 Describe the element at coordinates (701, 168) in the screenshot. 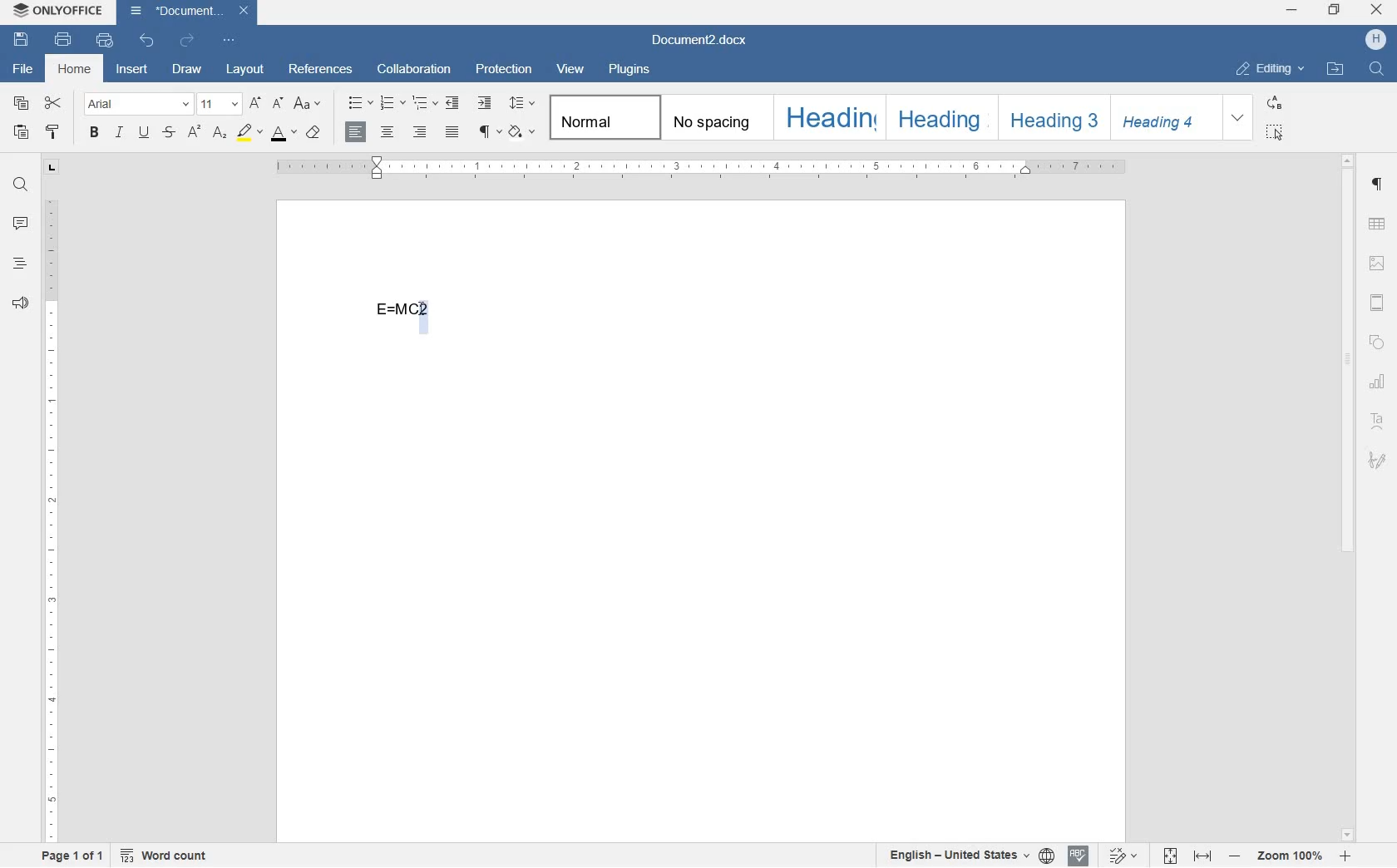

I see `ruler` at that location.